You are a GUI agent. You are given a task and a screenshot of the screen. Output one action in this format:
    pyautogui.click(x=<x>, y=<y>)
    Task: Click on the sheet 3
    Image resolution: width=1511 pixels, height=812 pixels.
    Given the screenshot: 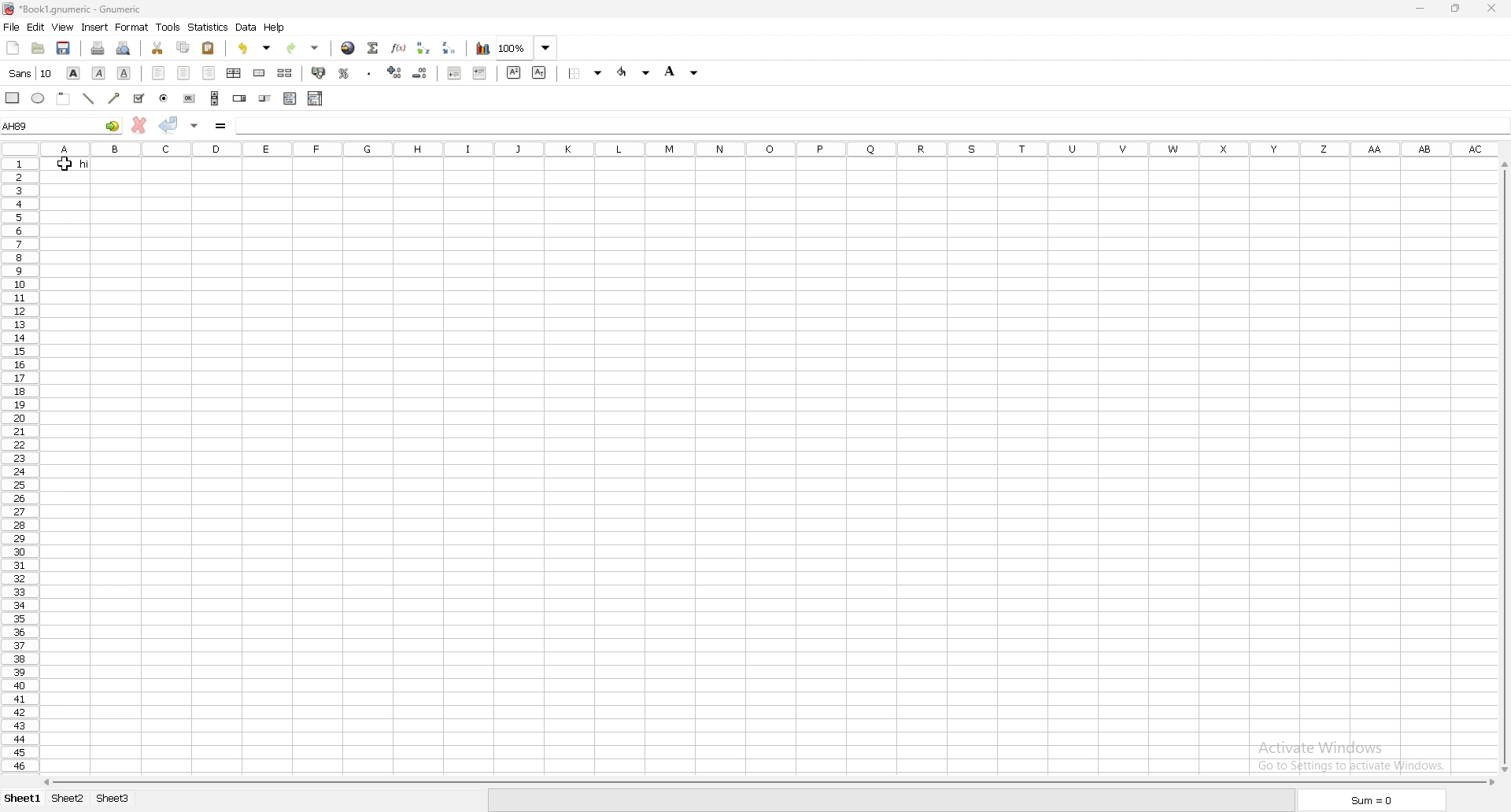 What is the action you would take?
    pyautogui.click(x=113, y=799)
    